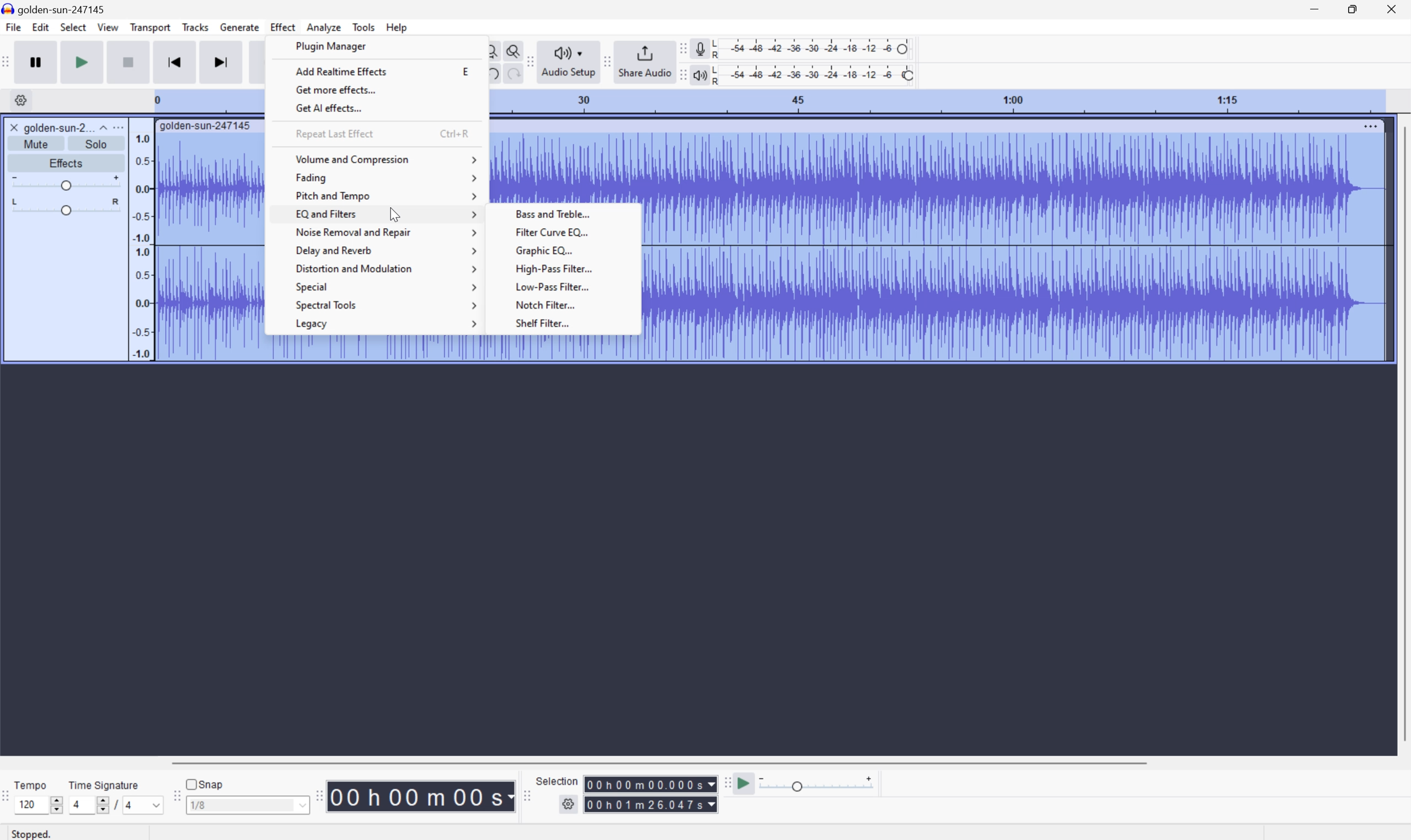  What do you see at coordinates (19, 100) in the screenshot?
I see `Settings` at bounding box center [19, 100].